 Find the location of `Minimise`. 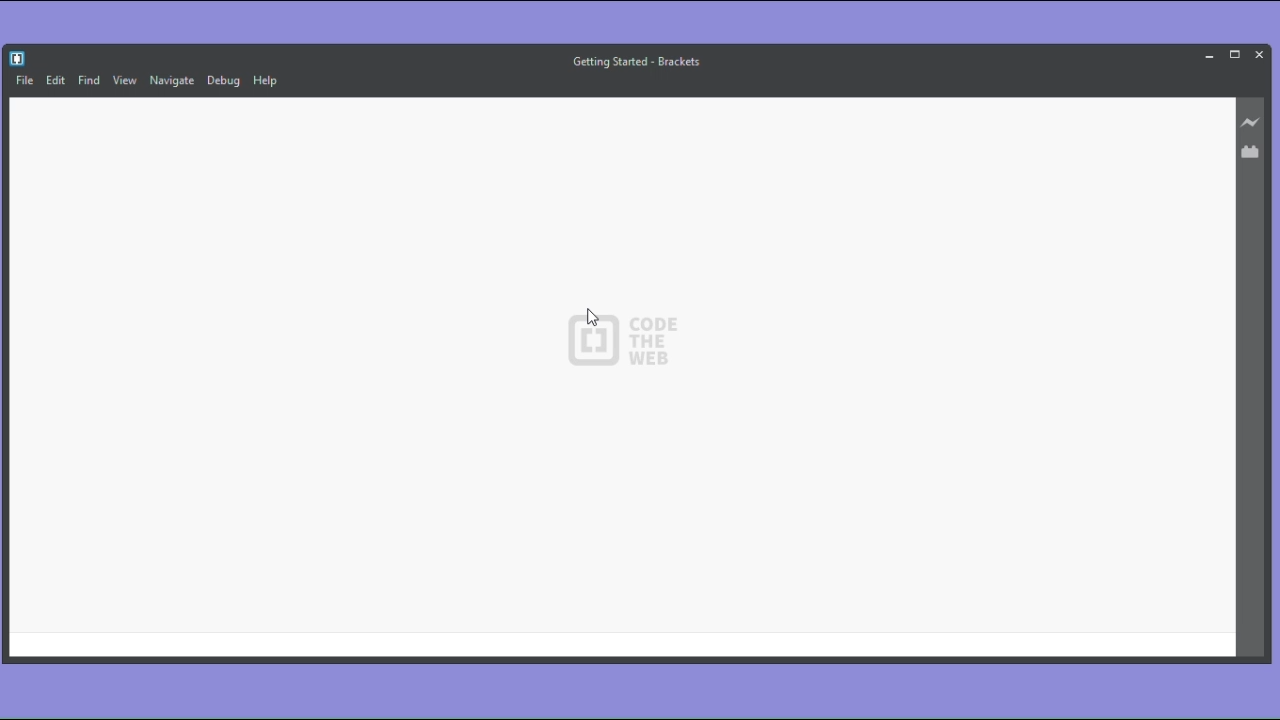

Minimise is located at coordinates (1212, 54).